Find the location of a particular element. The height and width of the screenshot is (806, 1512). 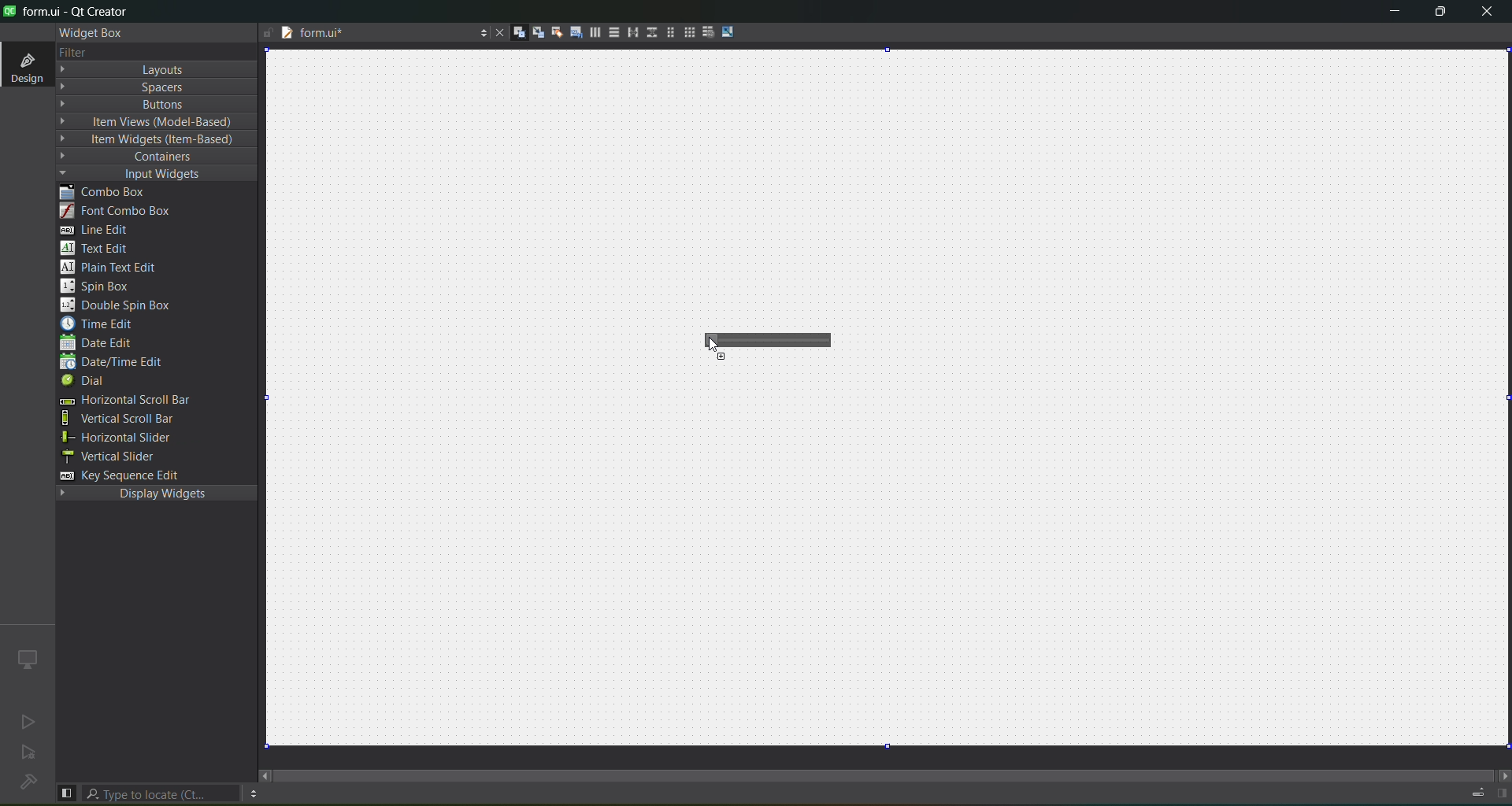

double spin box is located at coordinates (131, 305).